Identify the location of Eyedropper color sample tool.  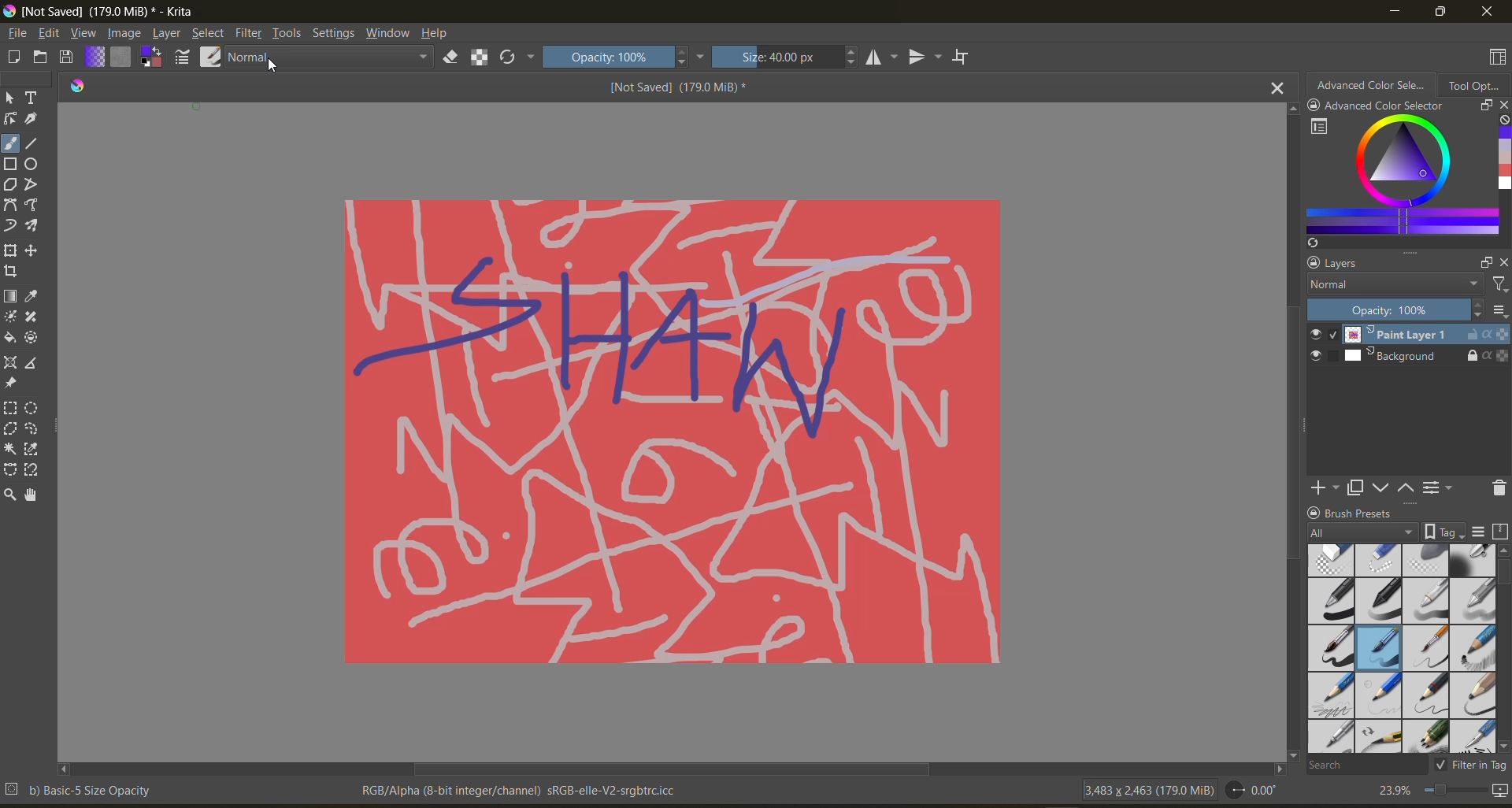
(35, 296).